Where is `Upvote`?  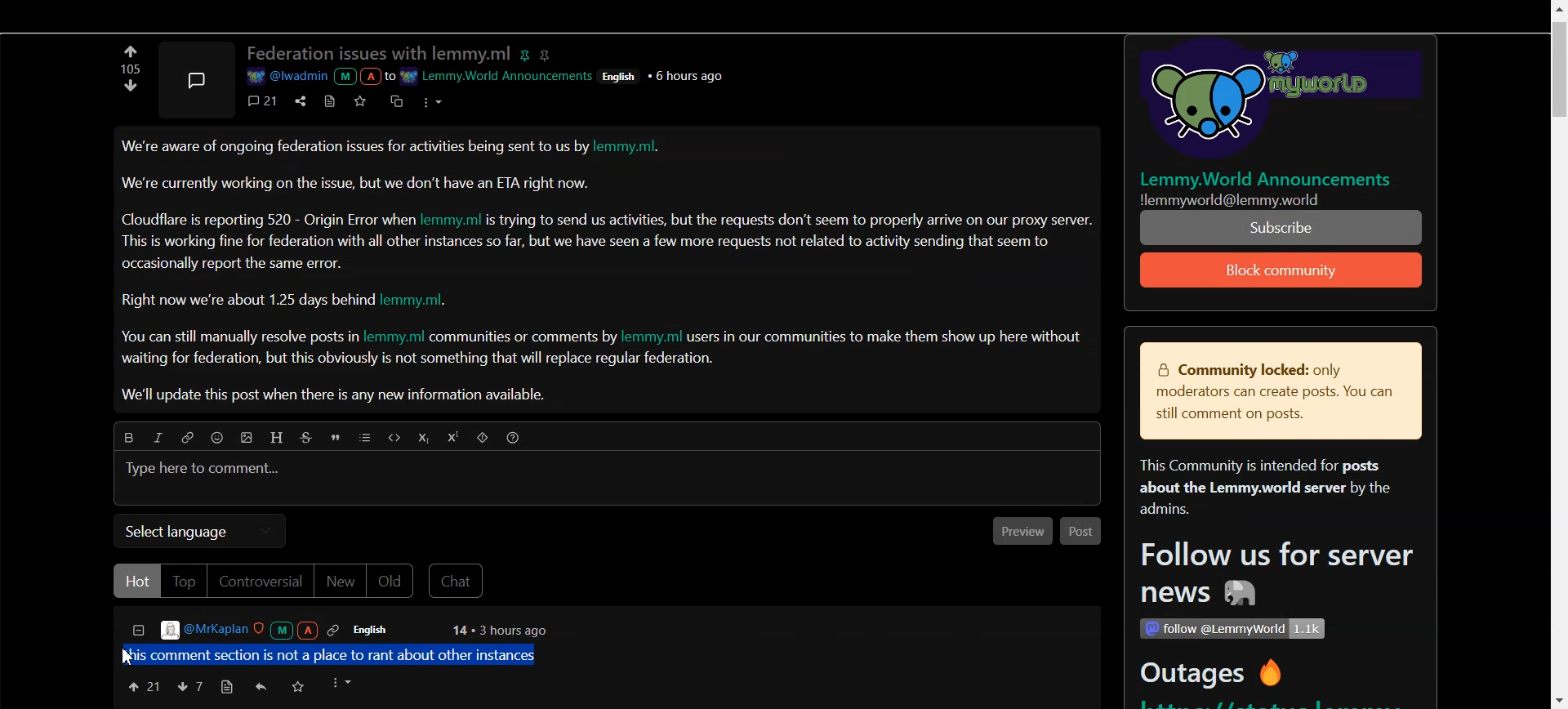 Upvote is located at coordinates (131, 91).